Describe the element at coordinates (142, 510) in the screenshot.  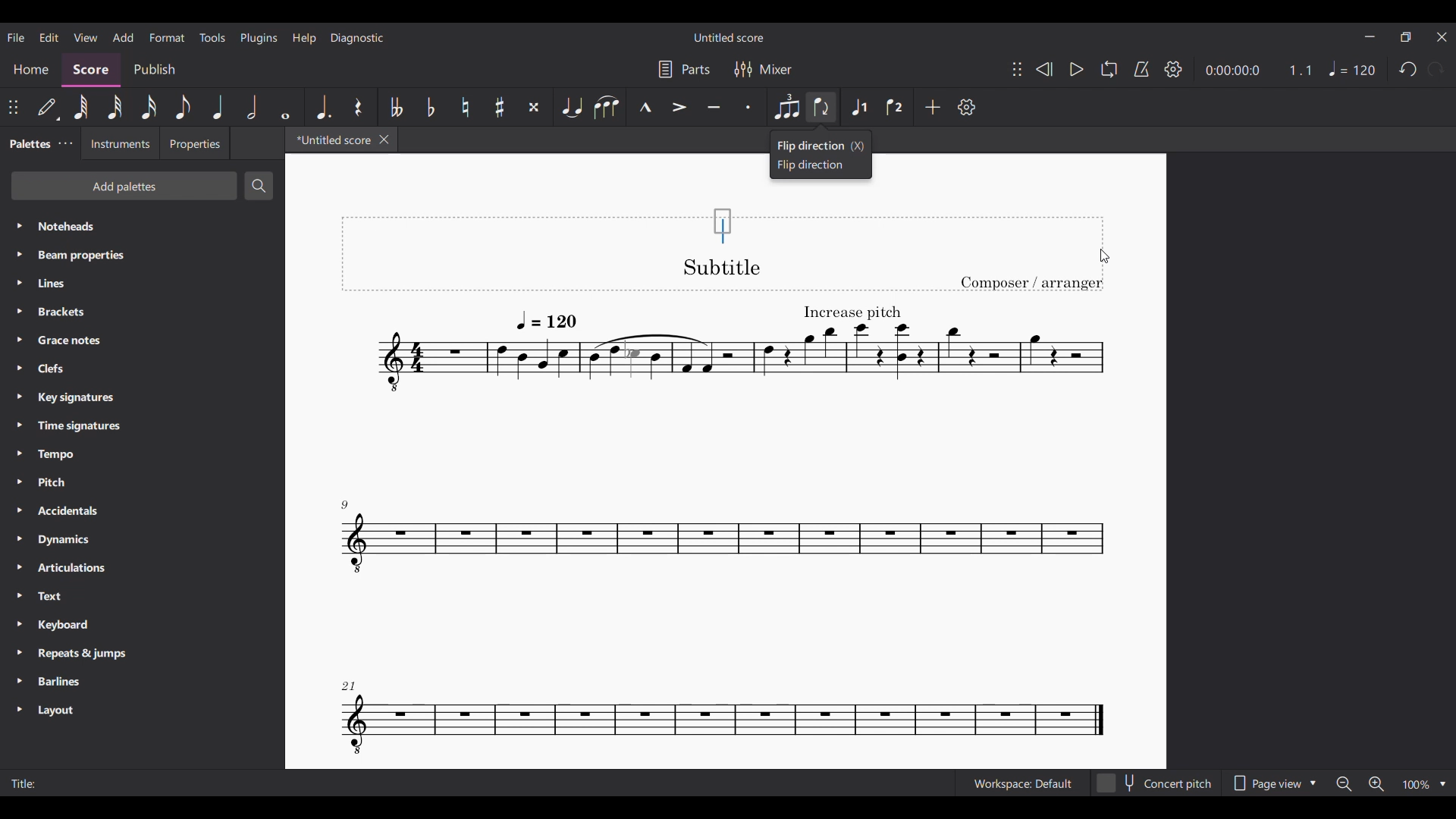
I see `Accidentals` at that location.